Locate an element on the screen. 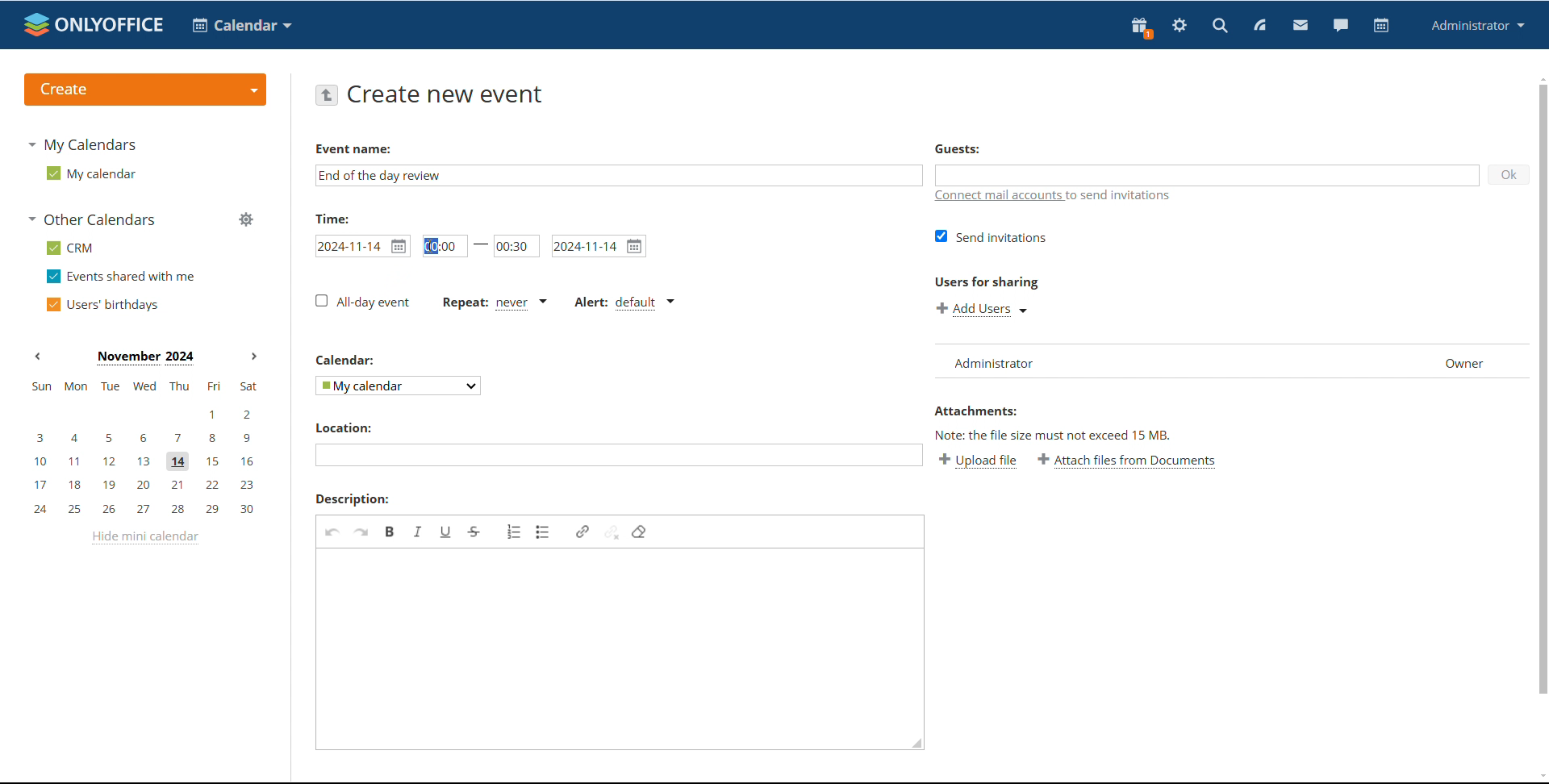 This screenshot has width=1549, height=784. attach files from documents is located at coordinates (1128, 461).